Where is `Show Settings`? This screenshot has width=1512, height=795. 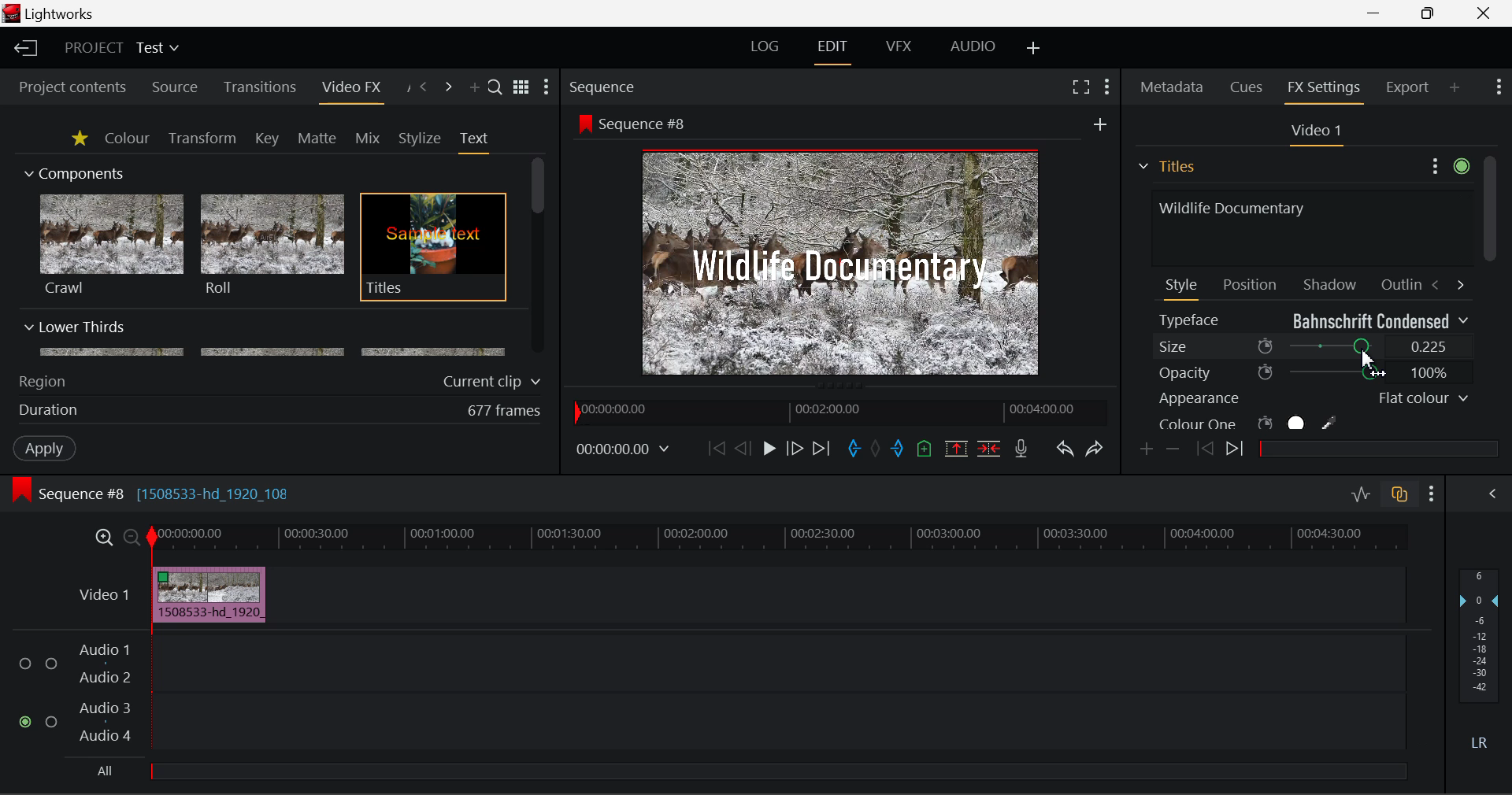 Show Settings is located at coordinates (1499, 85).